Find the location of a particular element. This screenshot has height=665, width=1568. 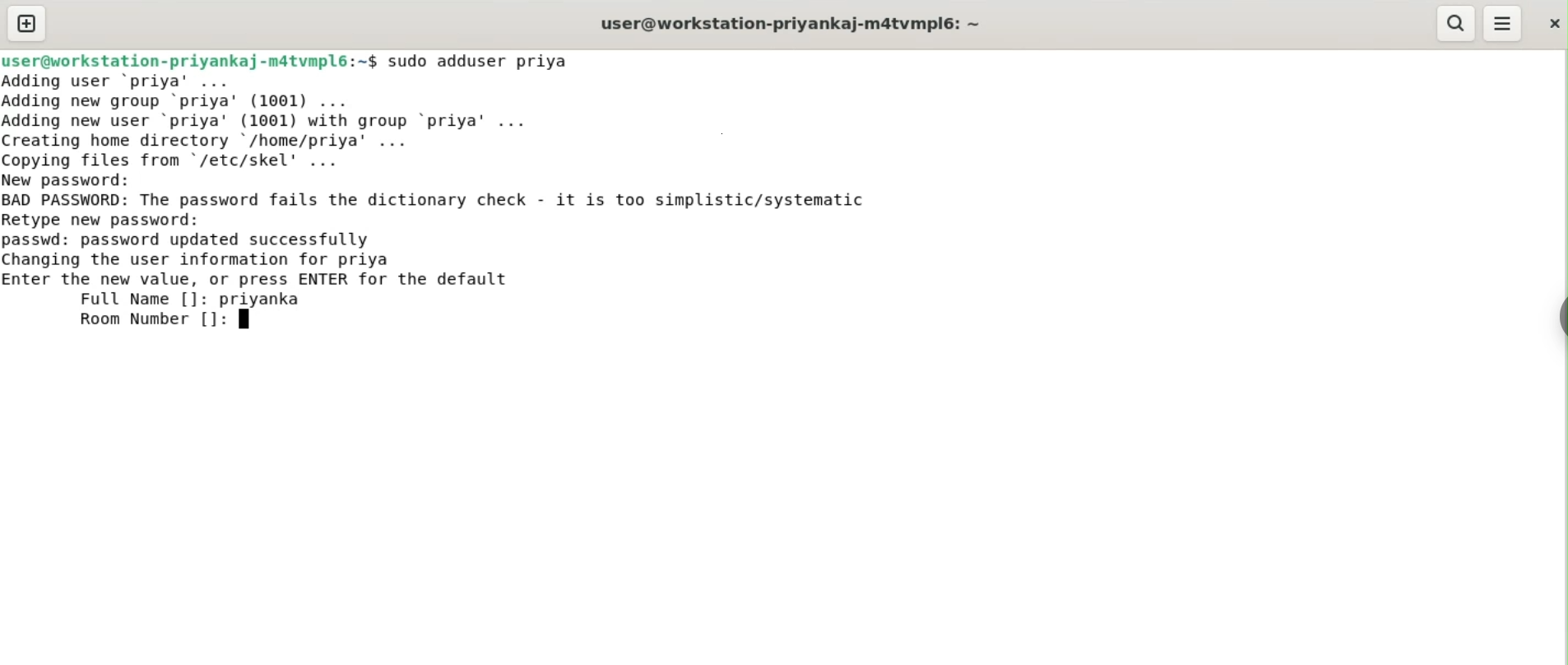

user@workstation-priyankaj-m4tvmpl6:~$ is located at coordinates (189, 58).